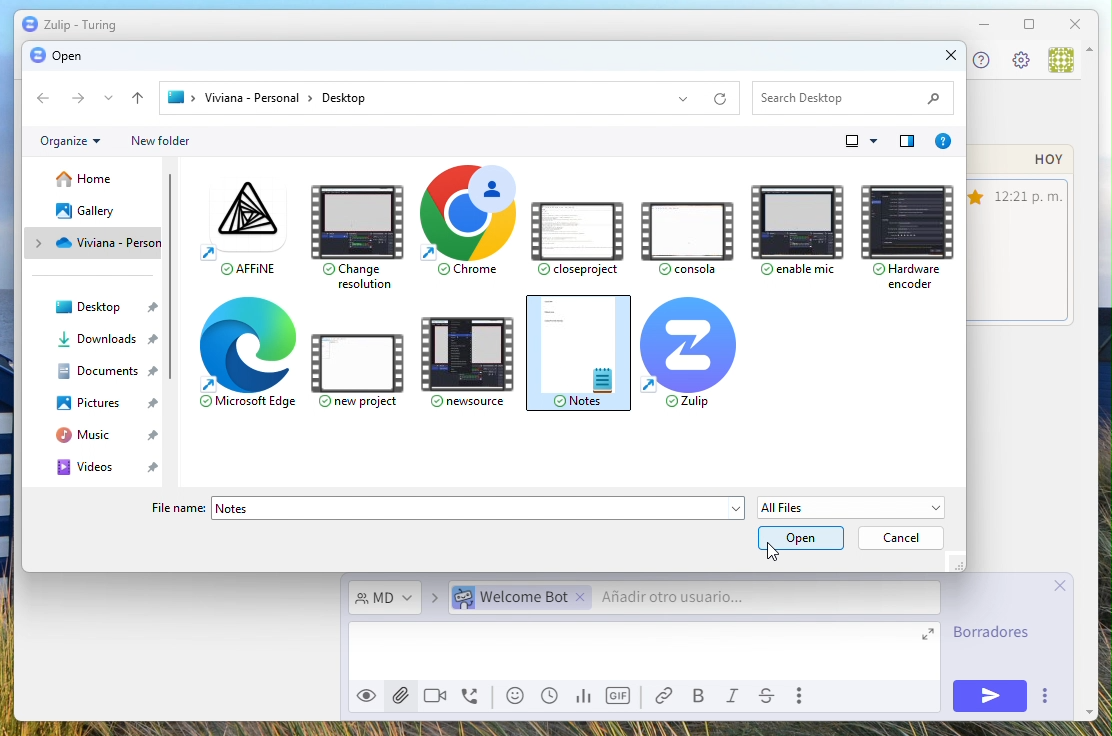  Describe the element at coordinates (669, 696) in the screenshot. I see `links` at that location.